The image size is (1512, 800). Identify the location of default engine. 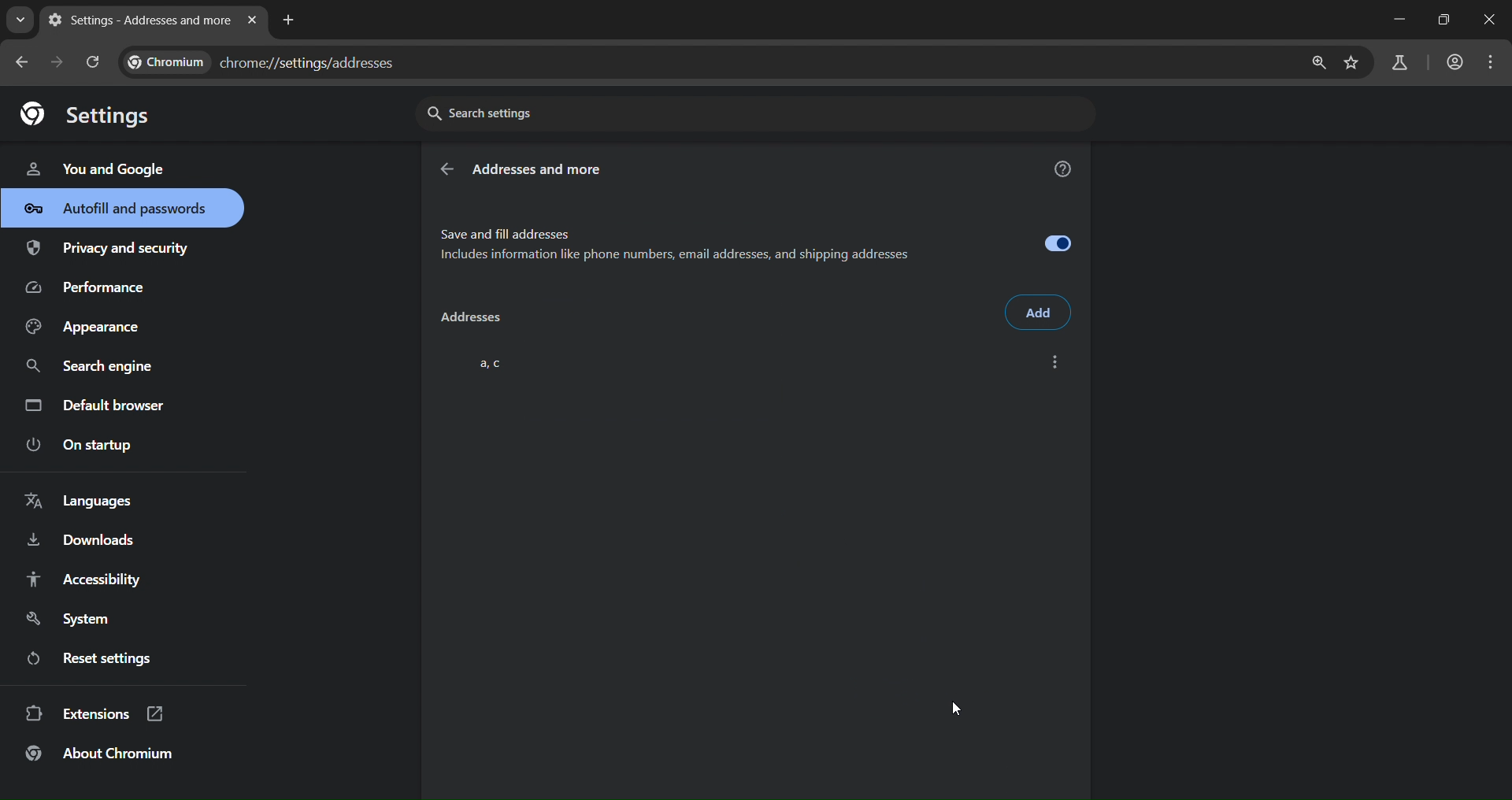
(98, 408).